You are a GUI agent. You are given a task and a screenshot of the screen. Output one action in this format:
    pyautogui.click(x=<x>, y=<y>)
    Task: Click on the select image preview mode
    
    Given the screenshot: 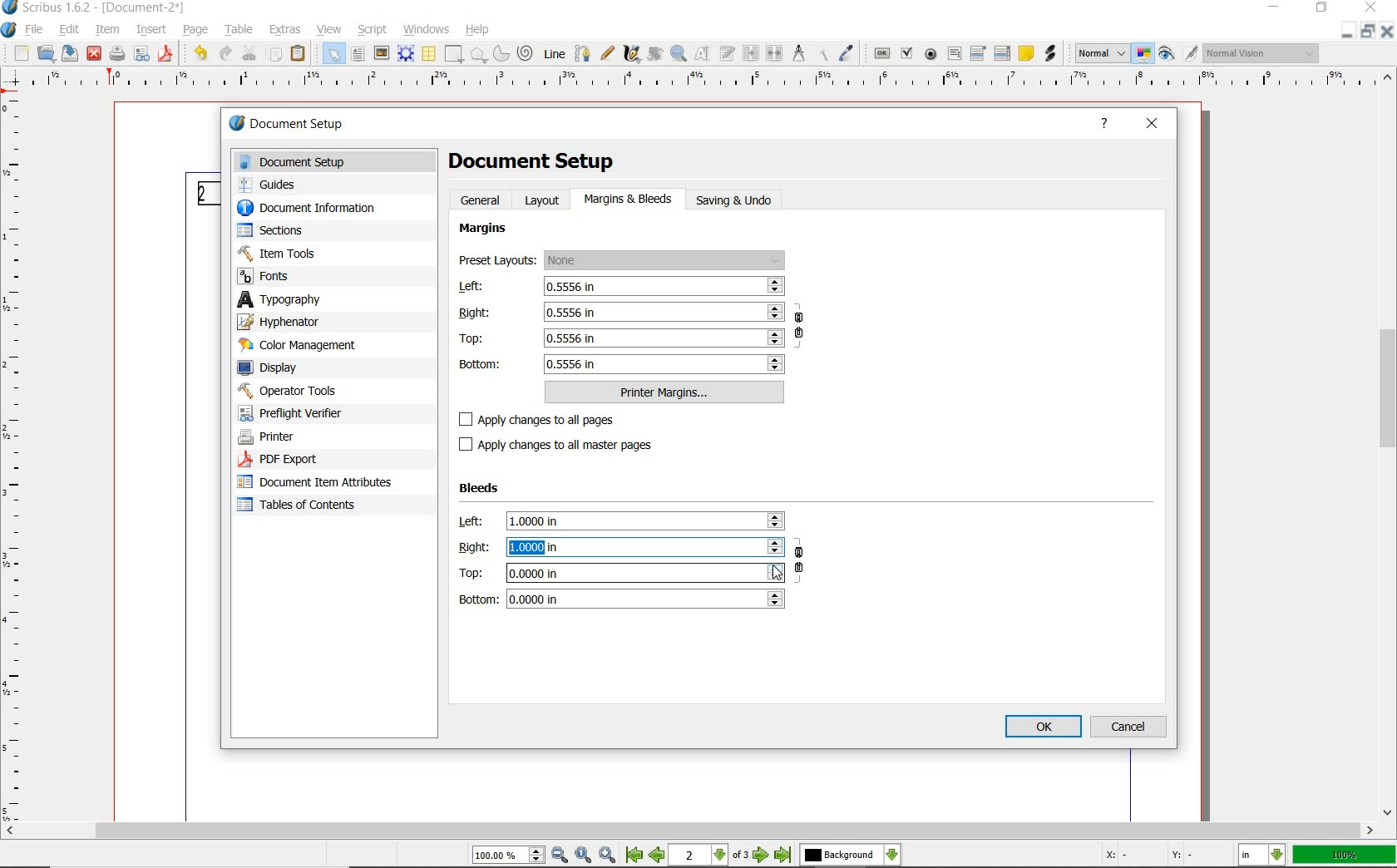 What is the action you would take?
    pyautogui.click(x=1101, y=53)
    